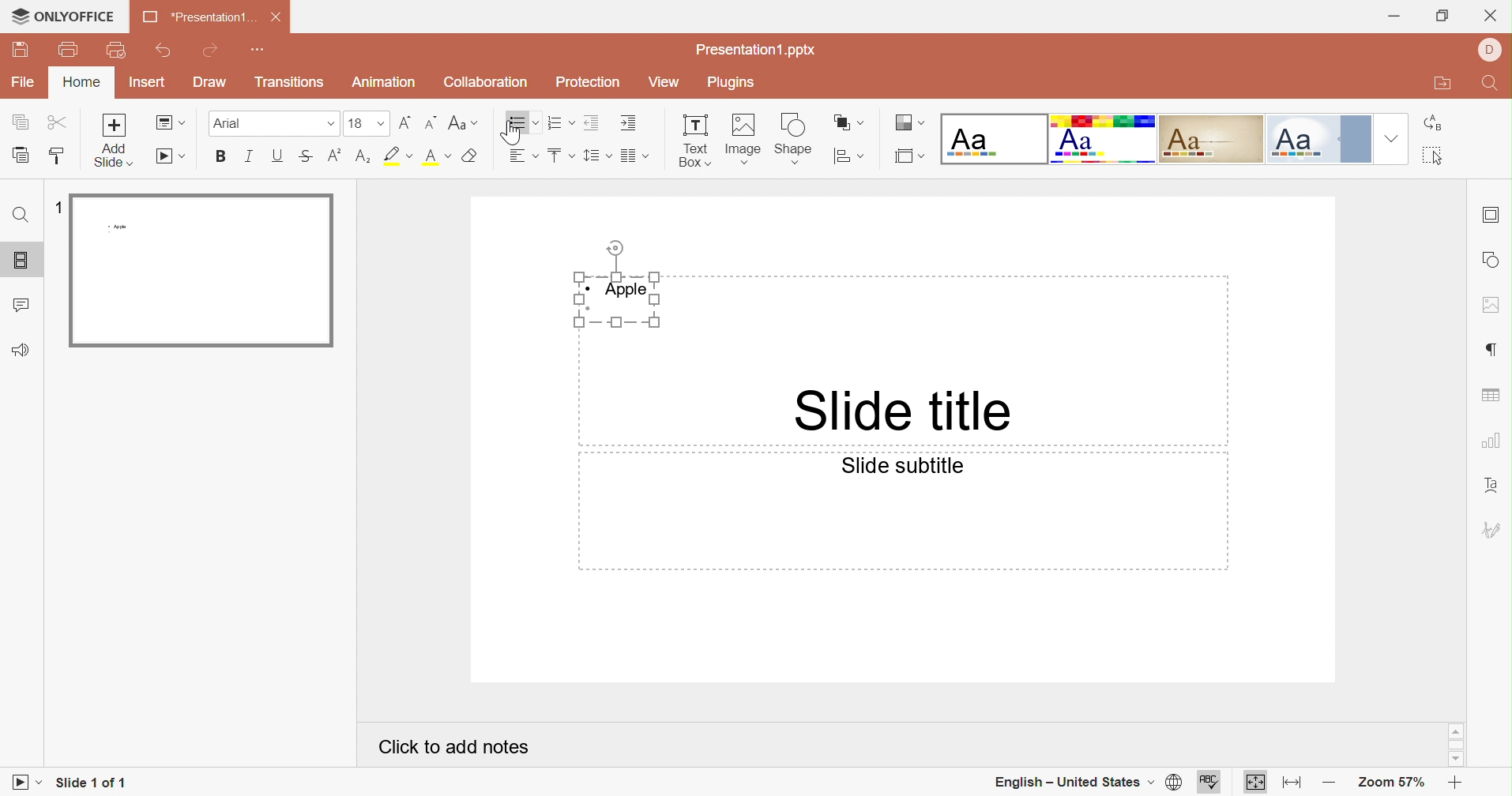 This screenshot has width=1512, height=796. What do you see at coordinates (849, 122) in the screenshot?
I see `Arrange shape` at bounding box center [849, 122].